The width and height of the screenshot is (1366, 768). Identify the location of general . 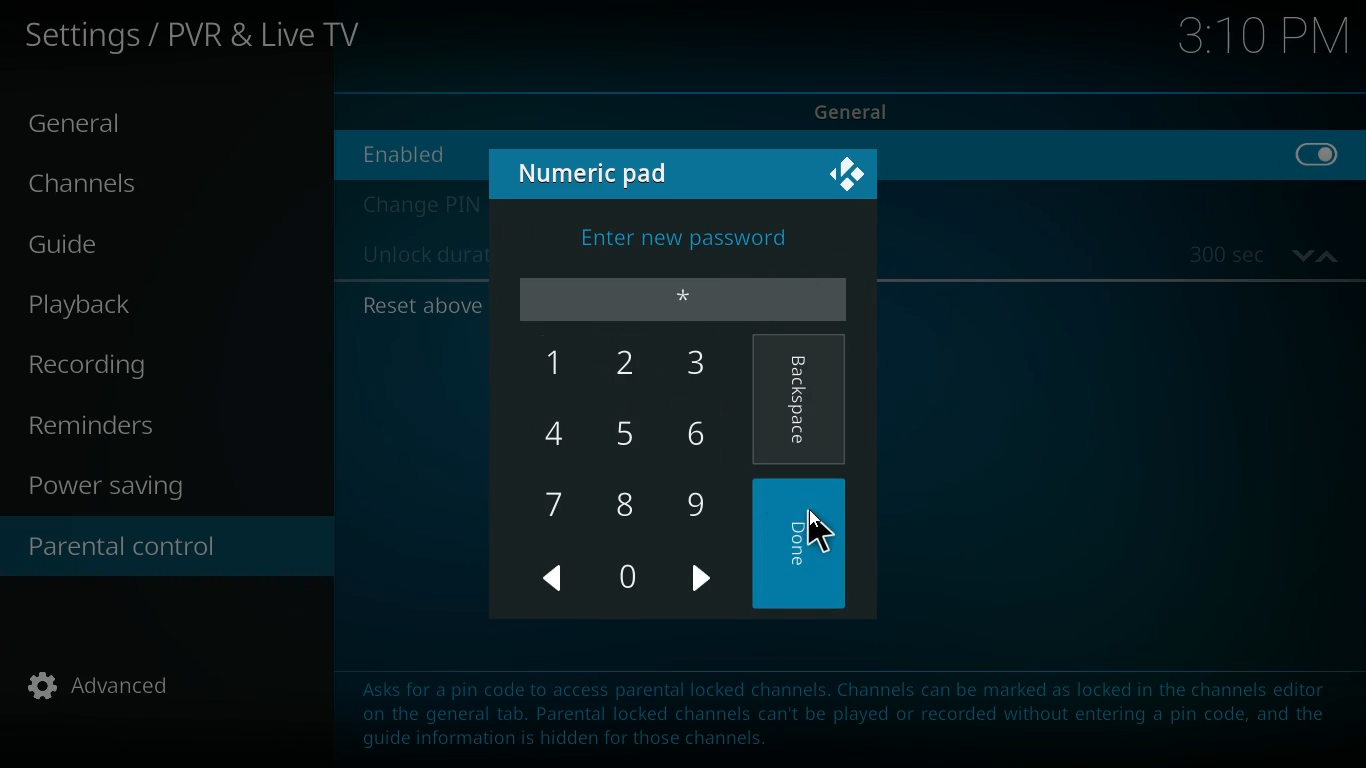
(94, 125).